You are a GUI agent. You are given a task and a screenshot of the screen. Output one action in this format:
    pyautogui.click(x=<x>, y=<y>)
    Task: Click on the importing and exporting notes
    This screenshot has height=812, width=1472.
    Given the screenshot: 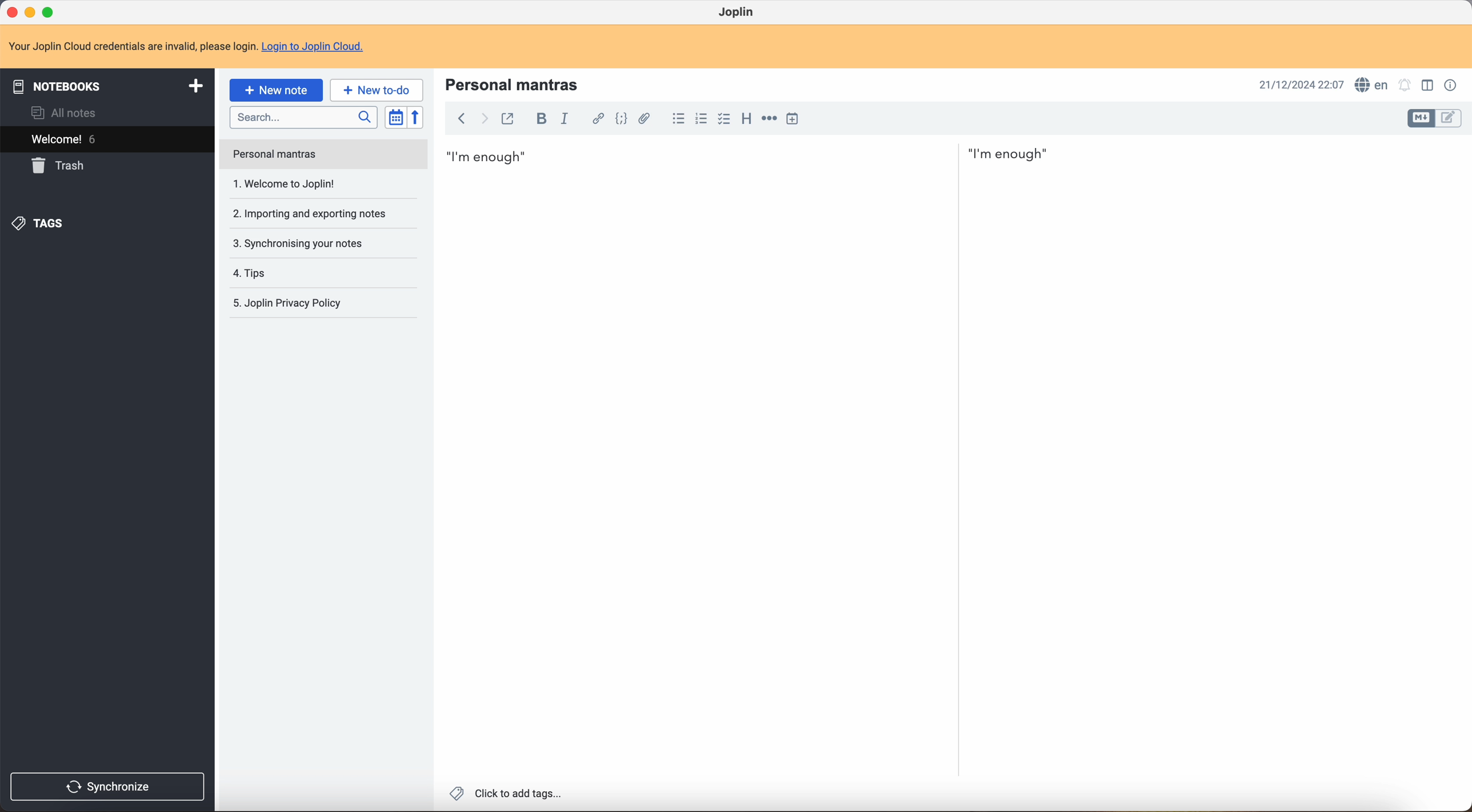 What is the action you would take?
    pyautogui.click(x=309, y=183)
    